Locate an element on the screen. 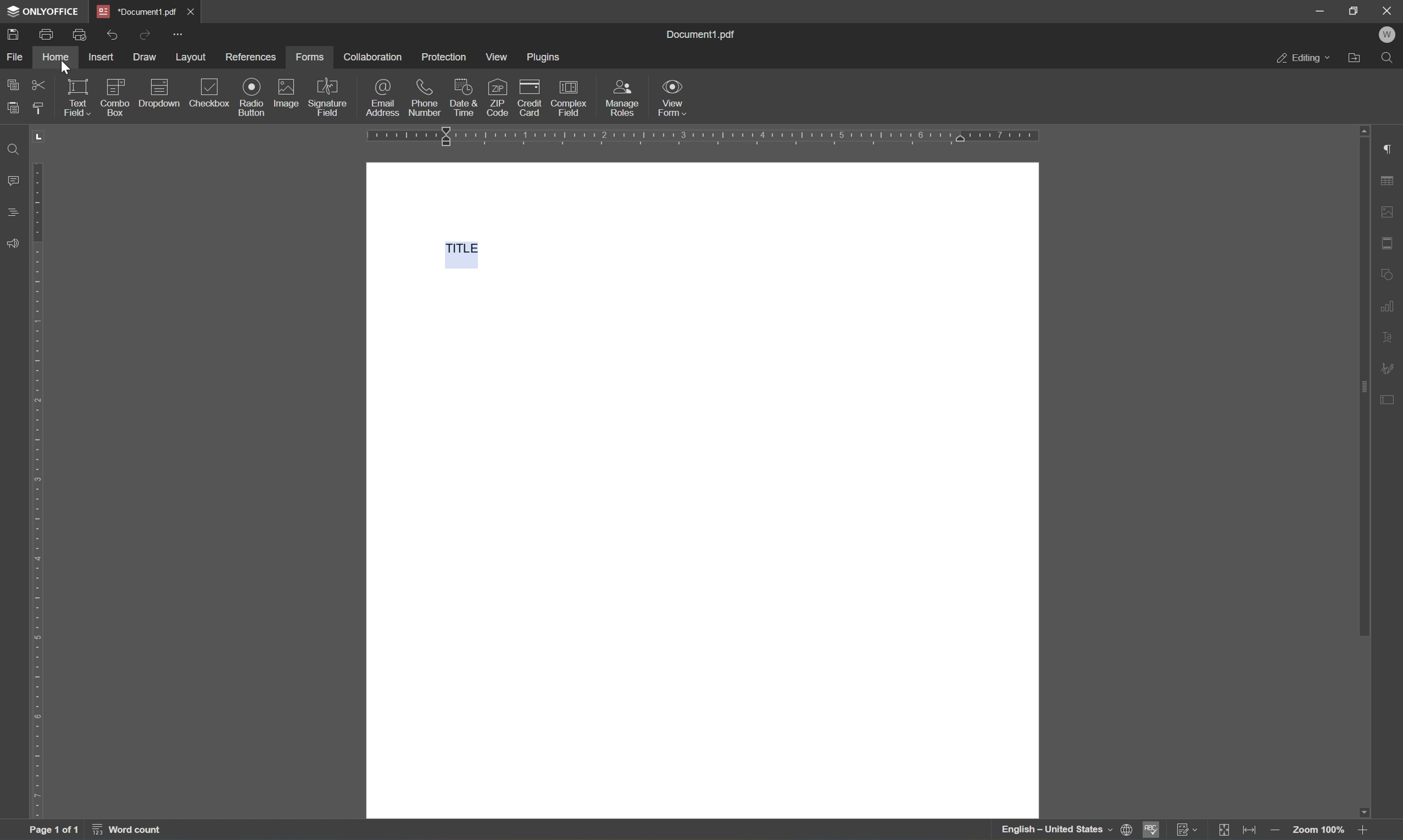 Image resolution: width=1403 pixels, height=840 pixels. spell checking is located at coordinates (1152, 830).